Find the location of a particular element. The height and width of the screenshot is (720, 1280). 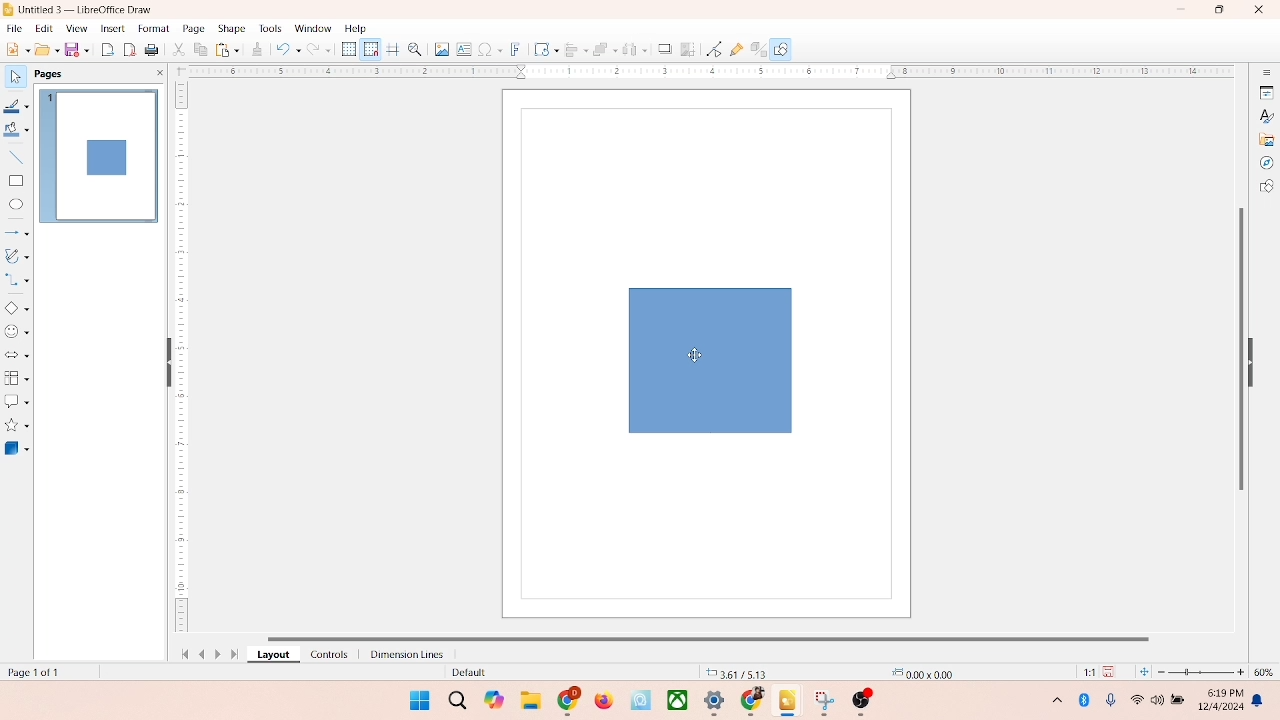

title is located at coordinates (87, 8).